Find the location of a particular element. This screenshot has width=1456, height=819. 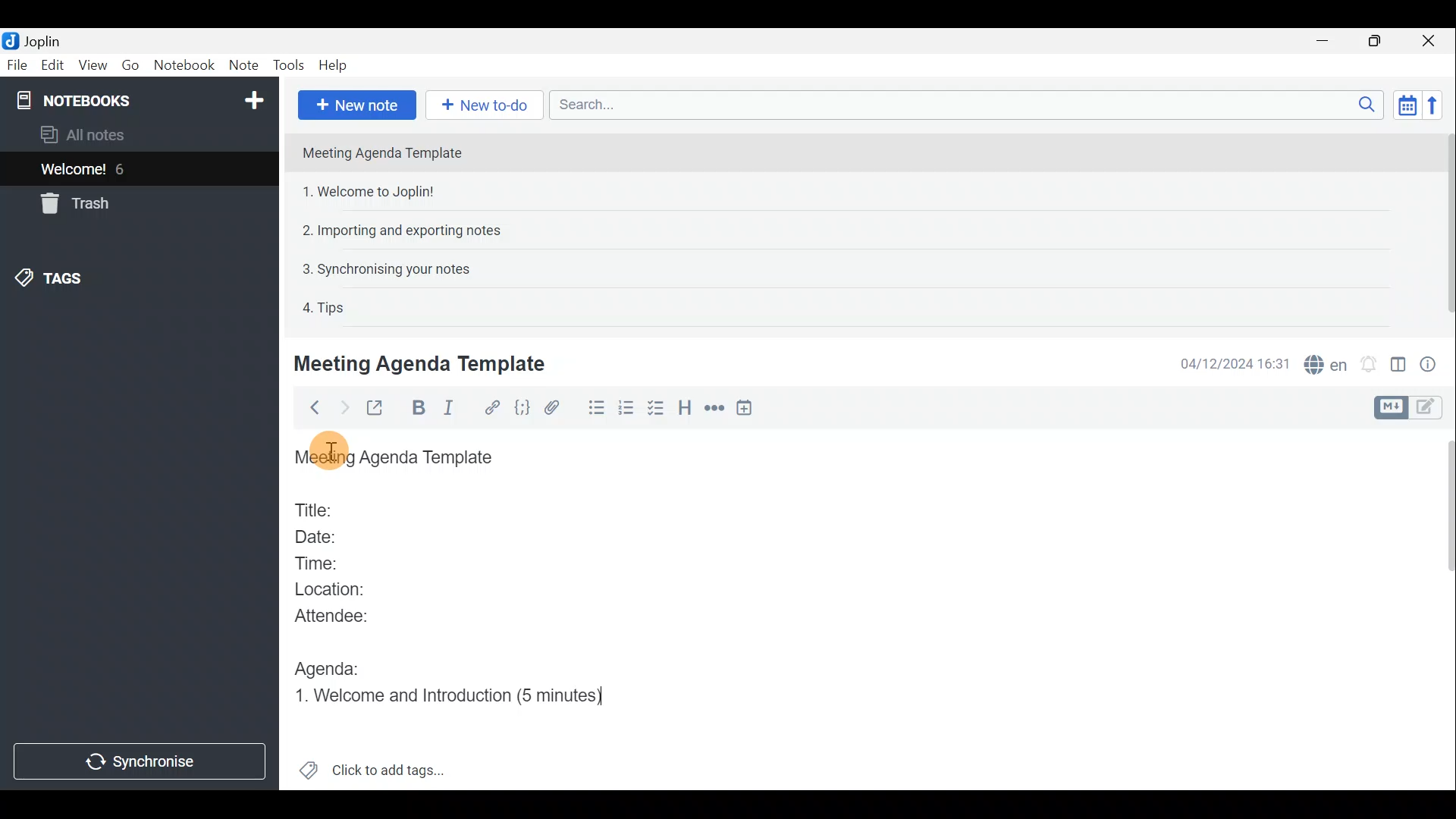

Toggle editors is located at coordinates (1389, 408).